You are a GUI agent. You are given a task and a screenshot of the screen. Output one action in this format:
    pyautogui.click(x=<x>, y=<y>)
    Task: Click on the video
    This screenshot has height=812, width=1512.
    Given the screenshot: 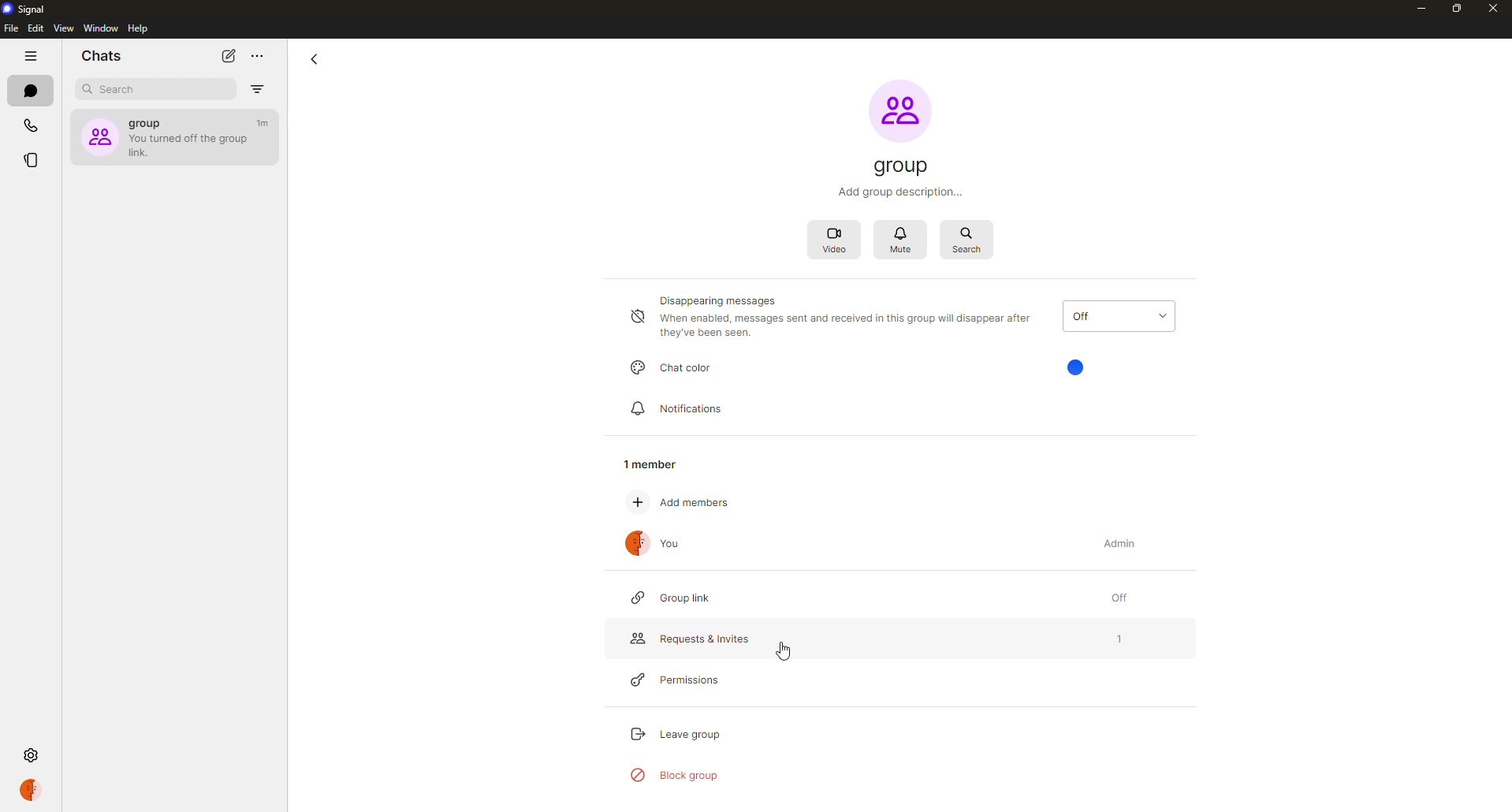 What is the action you would take?
    pyautogui.click(x=839, y=239)
    